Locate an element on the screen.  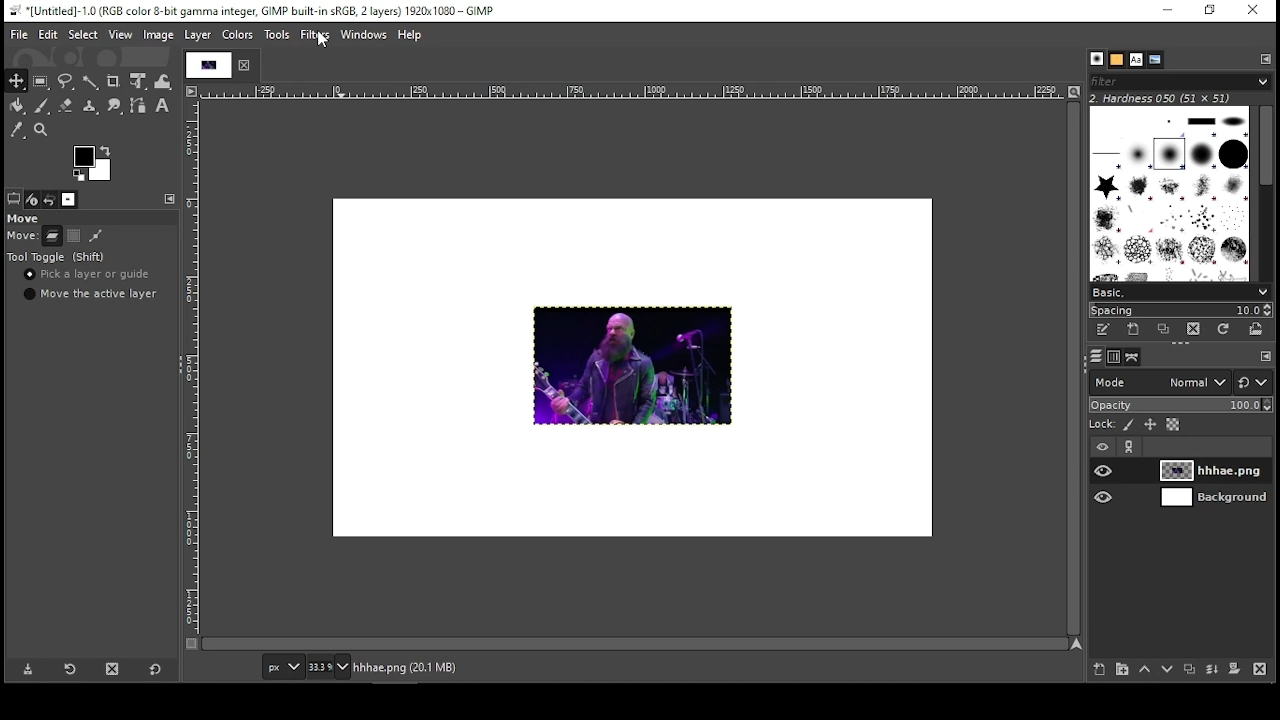
scale is located at coordinates (194, 368).